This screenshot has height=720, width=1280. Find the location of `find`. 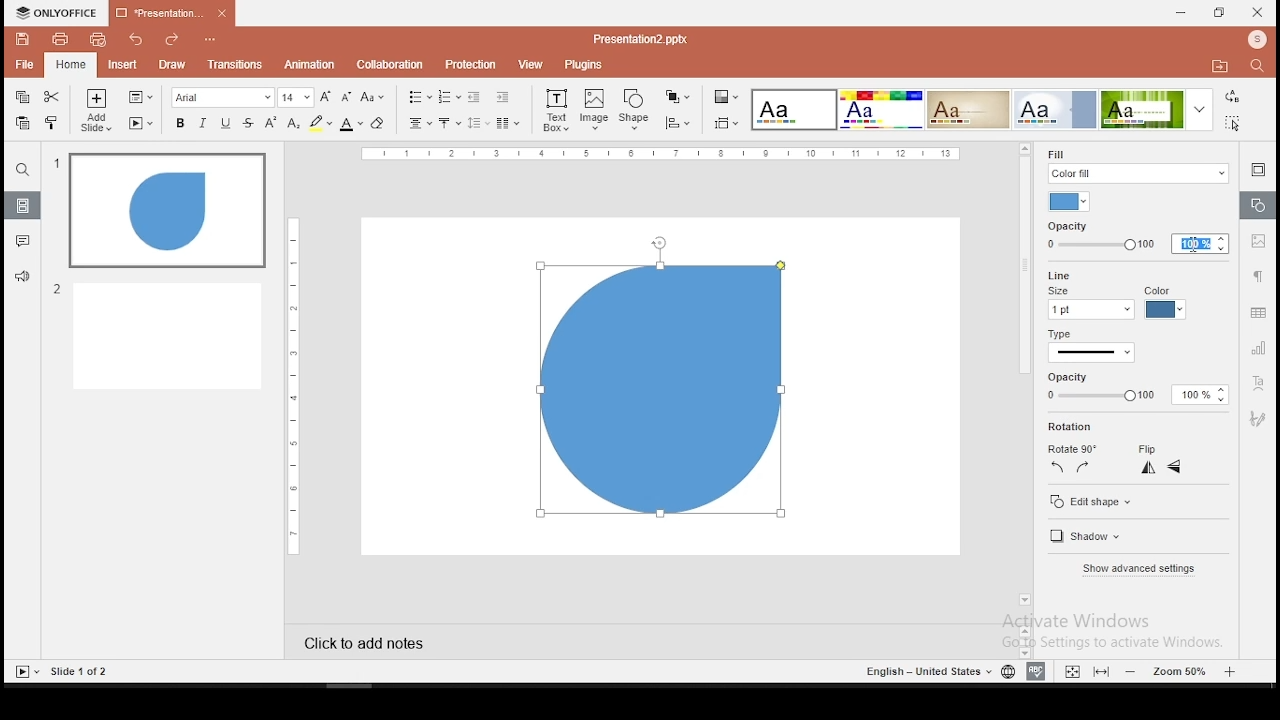

find is located at coordinates (1257, 65).